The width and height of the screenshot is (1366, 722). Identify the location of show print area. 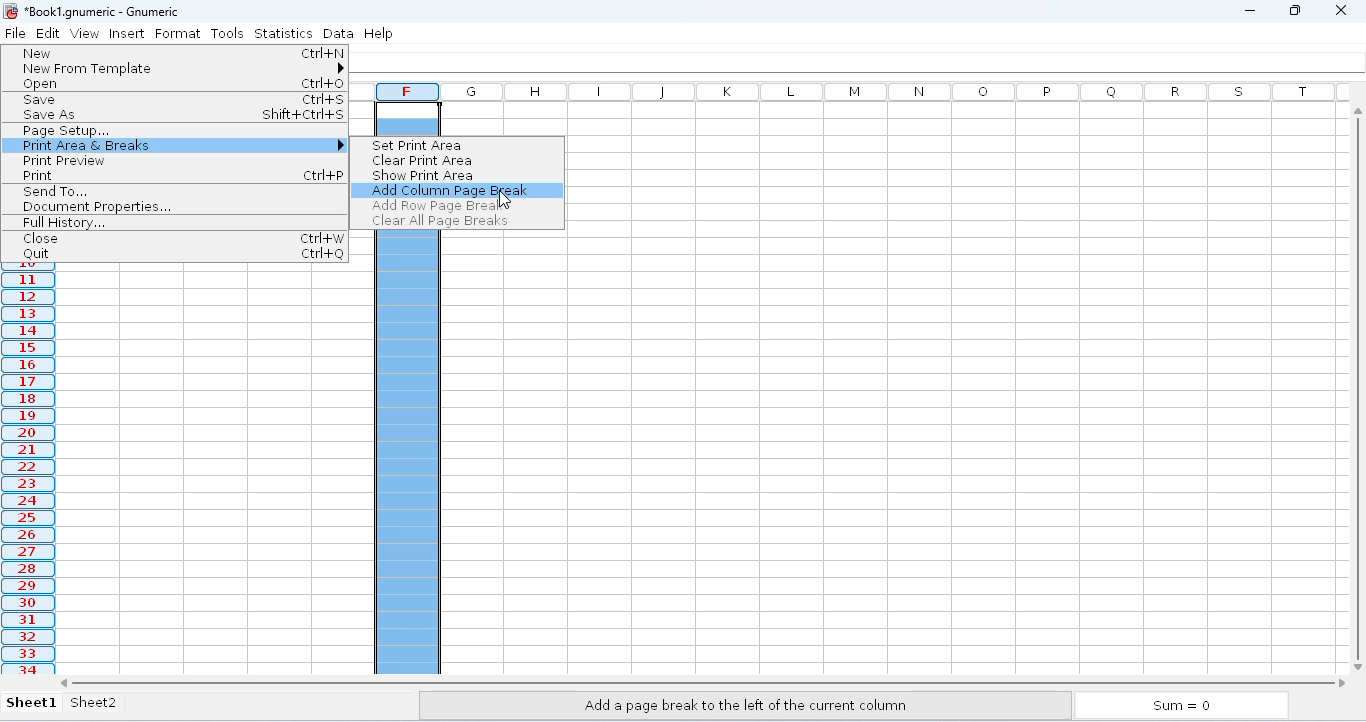
(423, 175).